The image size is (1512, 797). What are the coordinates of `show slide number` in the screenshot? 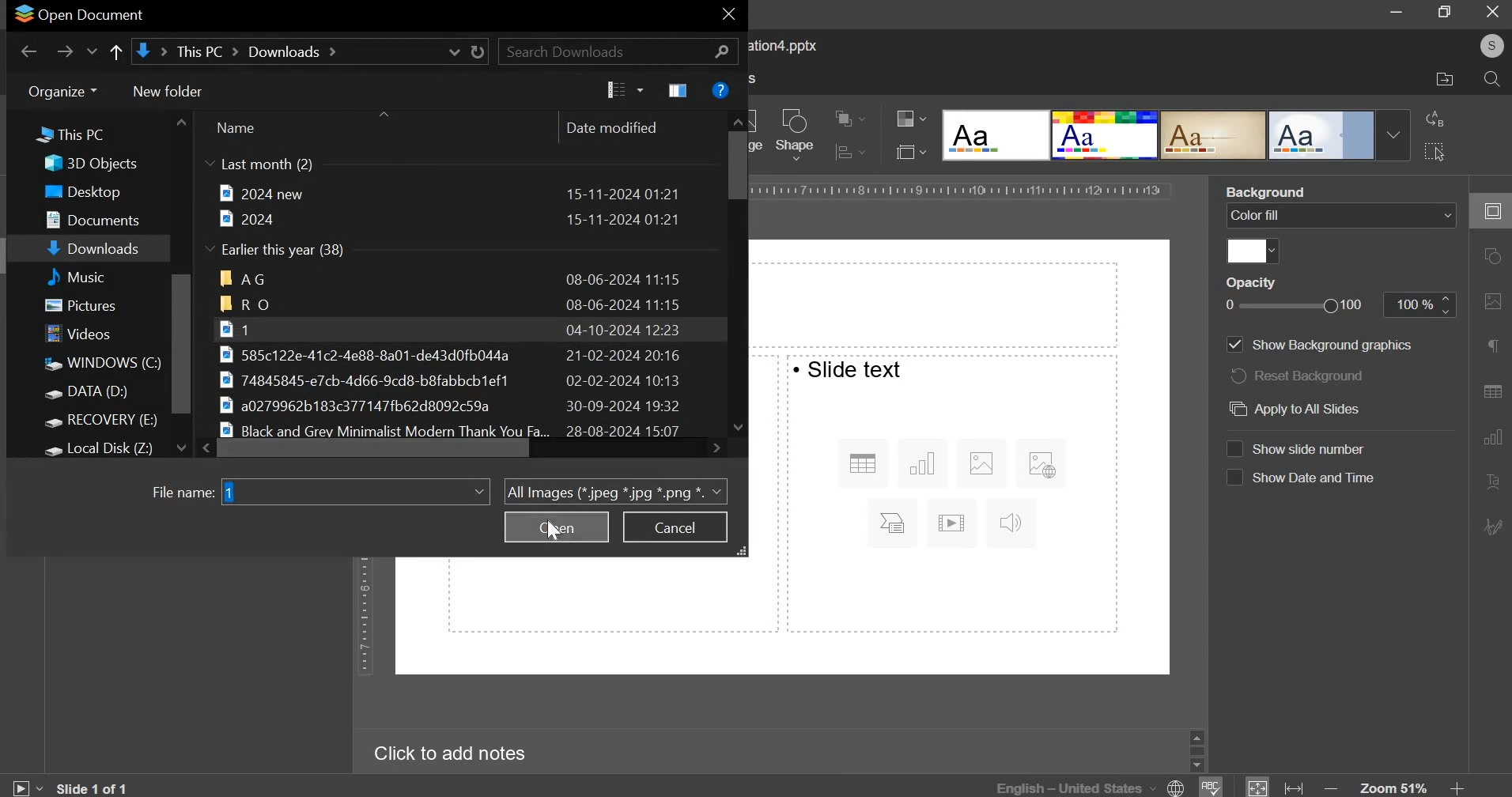 It's located at (1317, 448).